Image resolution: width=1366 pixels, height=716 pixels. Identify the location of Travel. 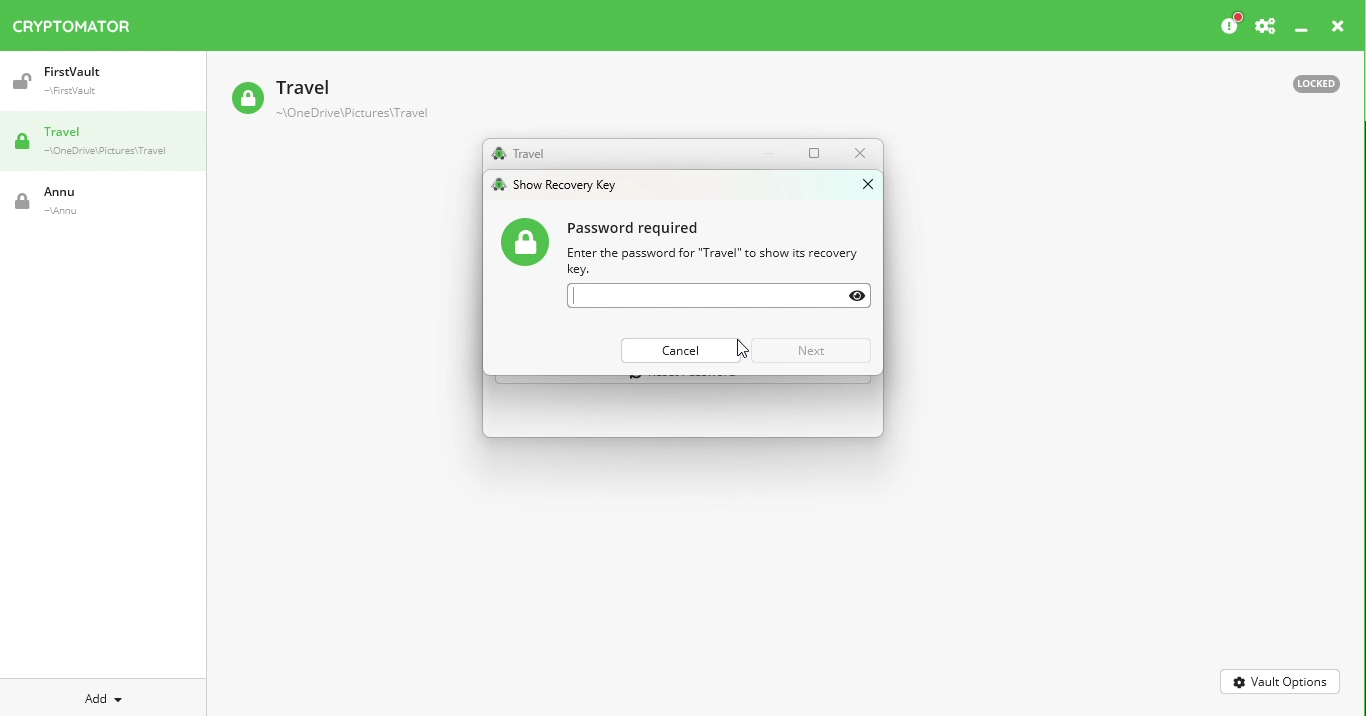
(110, 143).